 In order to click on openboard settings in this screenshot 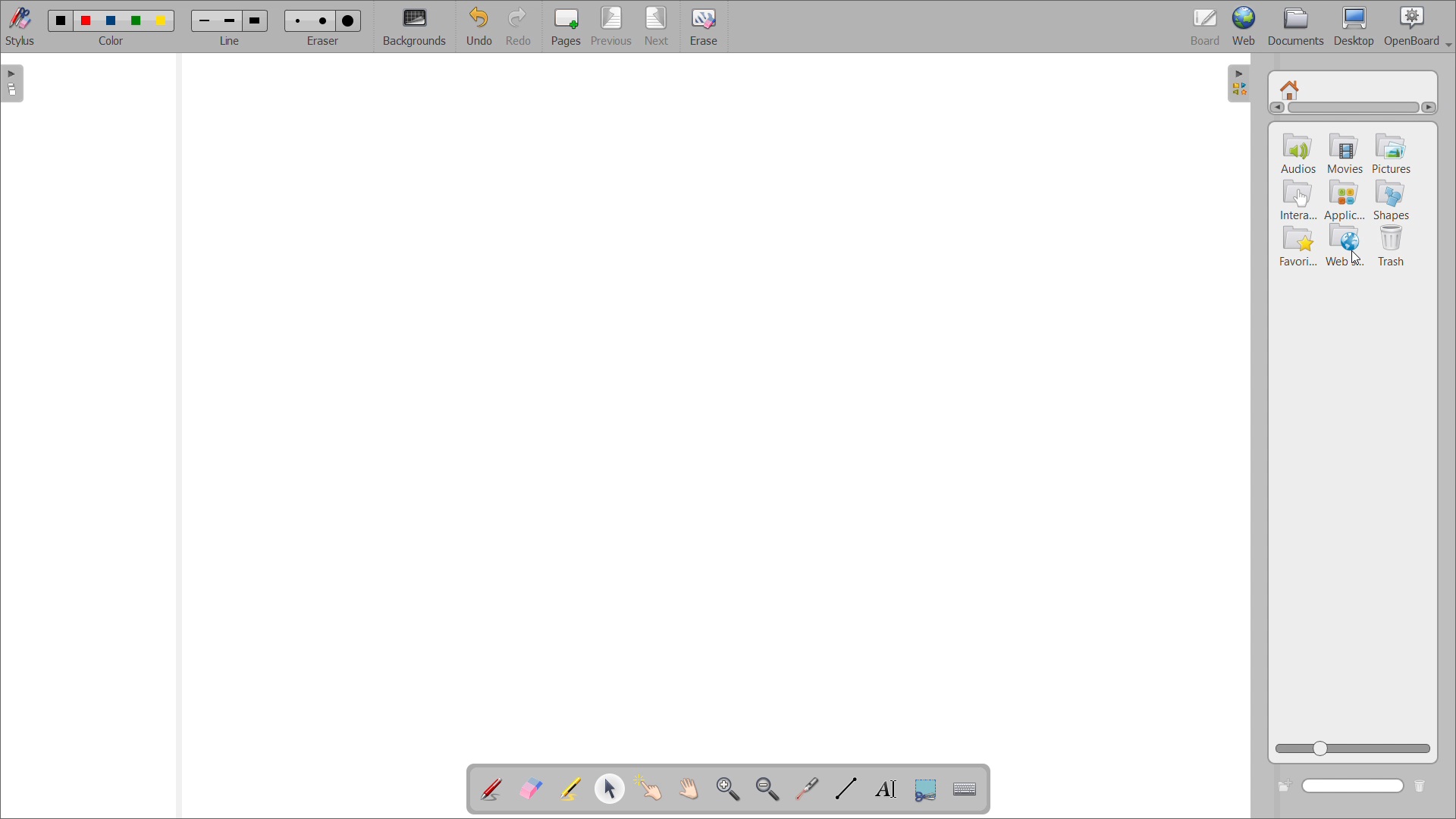, I will do `click(1417, 27)`.